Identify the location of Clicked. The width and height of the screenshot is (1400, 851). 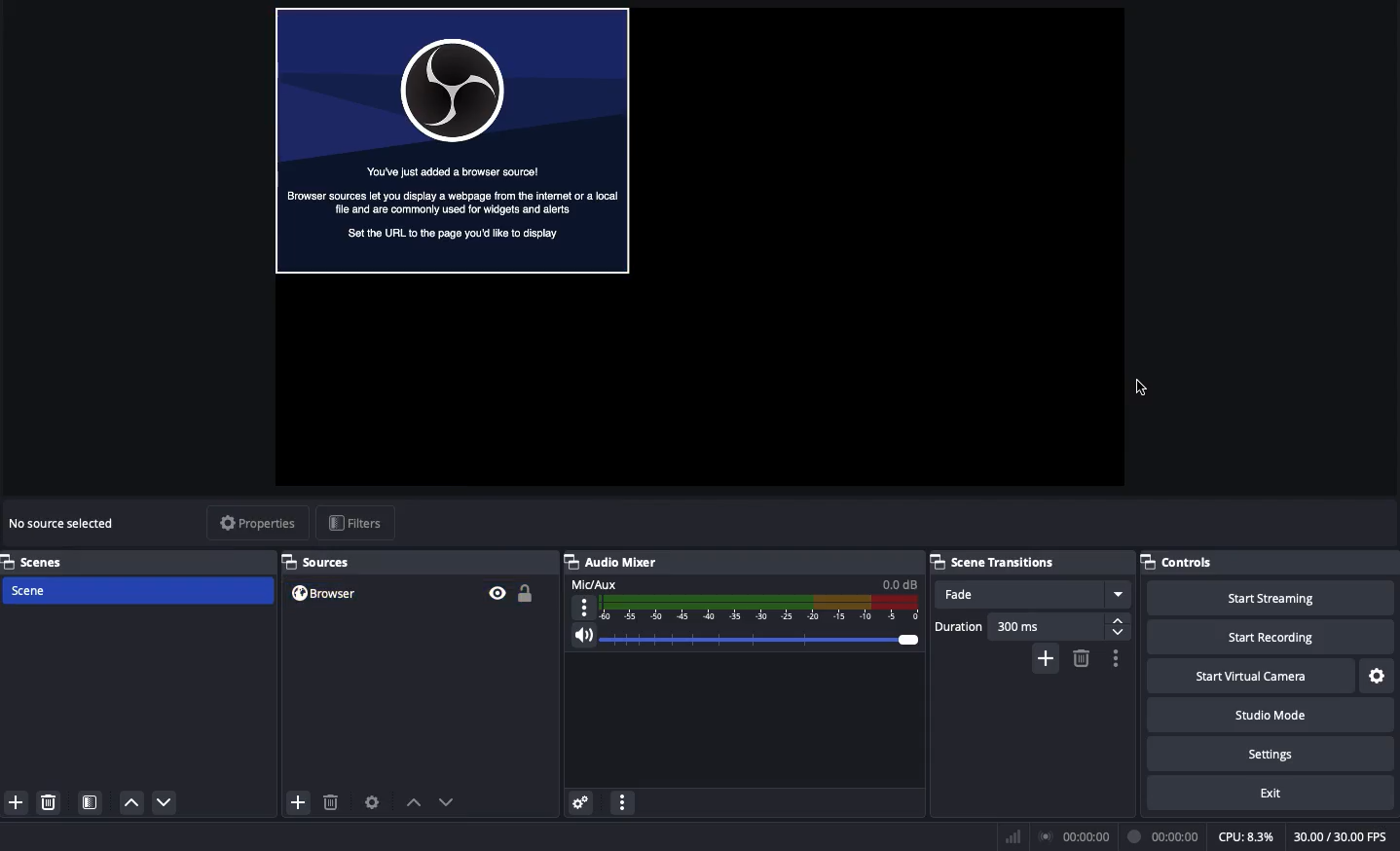
(1144, 389).